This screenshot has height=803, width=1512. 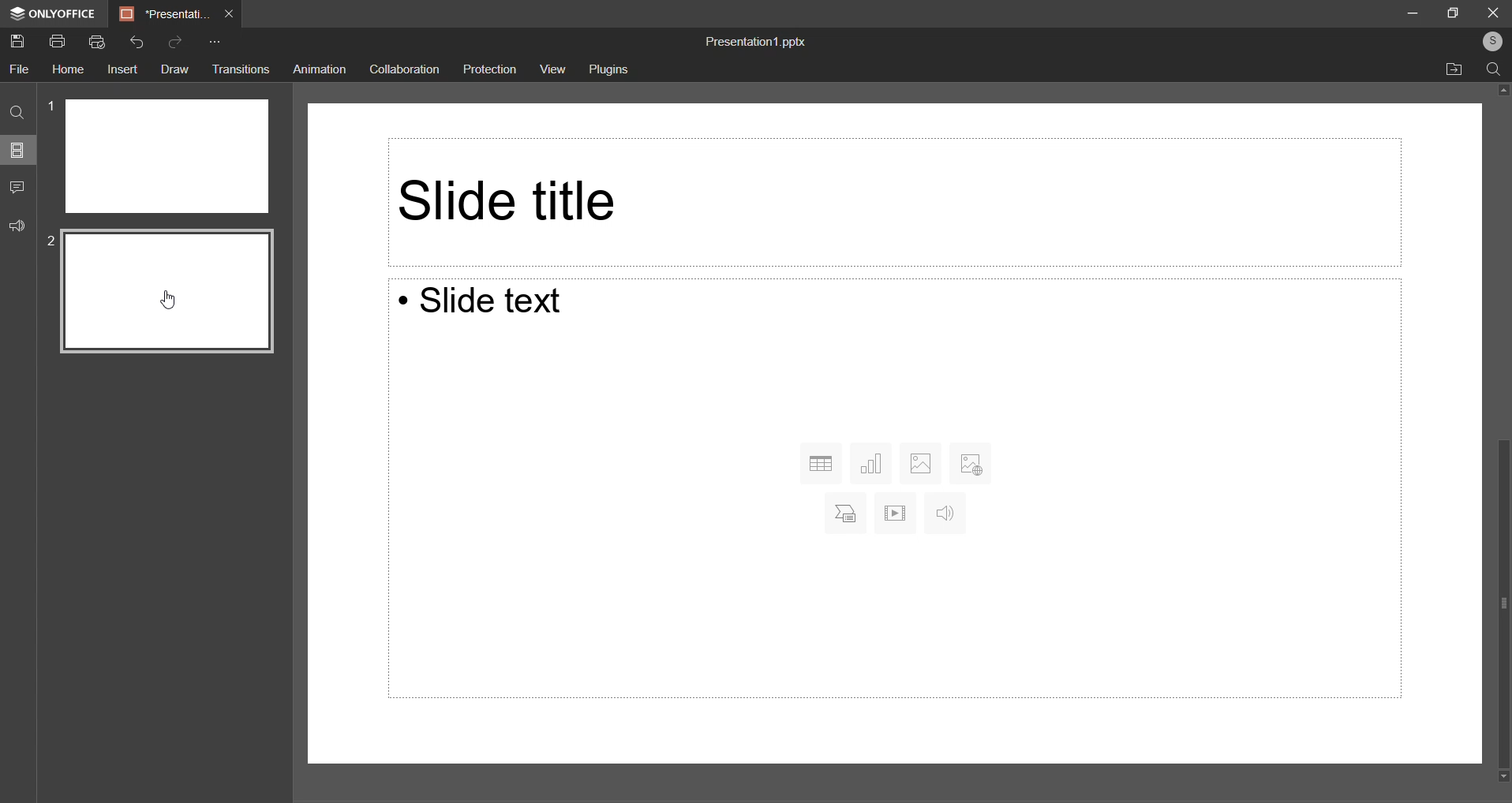 I want to click on Scroll bar, so click(x=1495, y=599).